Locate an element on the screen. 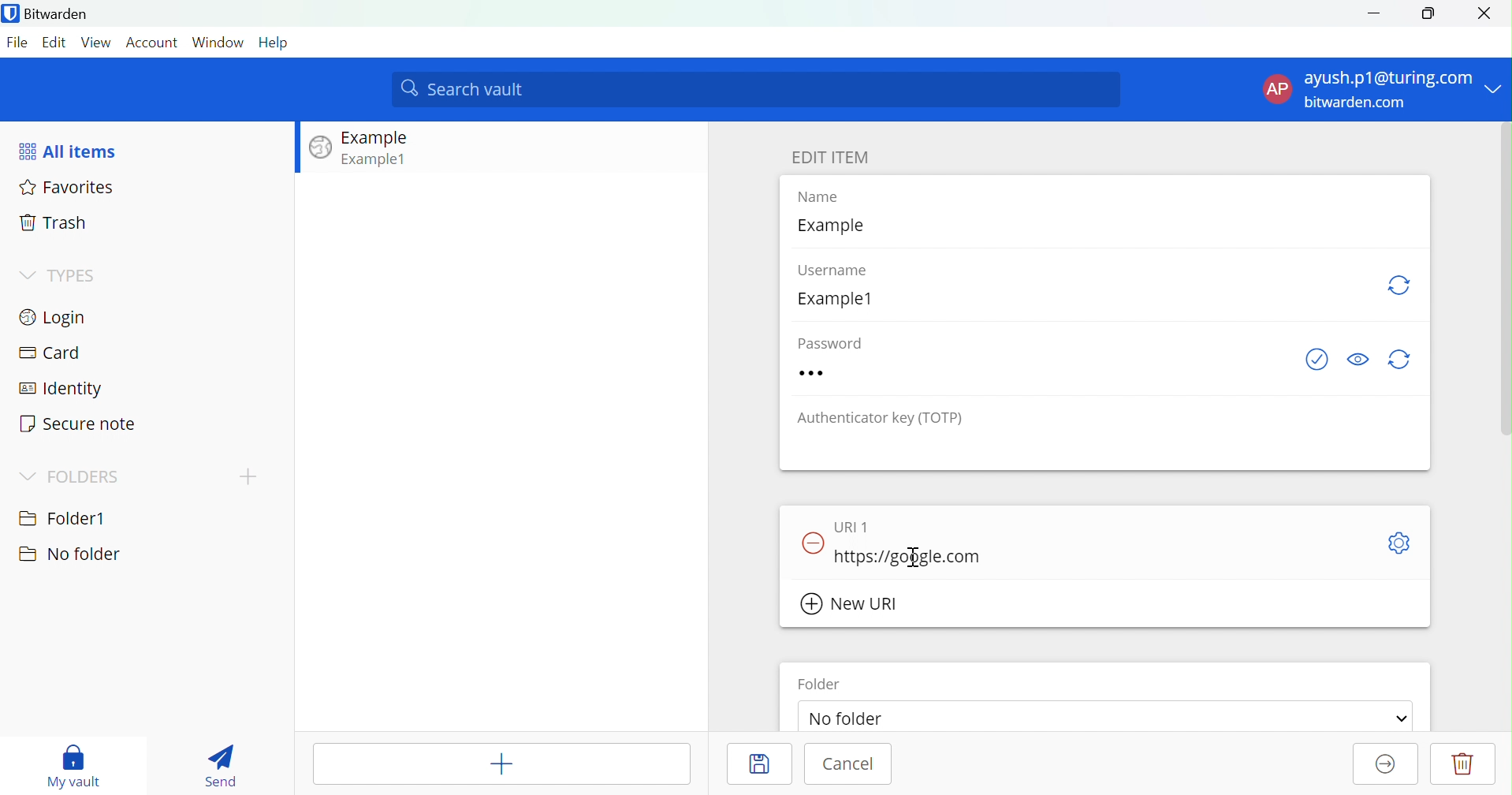  Window is located at coordinates (218, 42).